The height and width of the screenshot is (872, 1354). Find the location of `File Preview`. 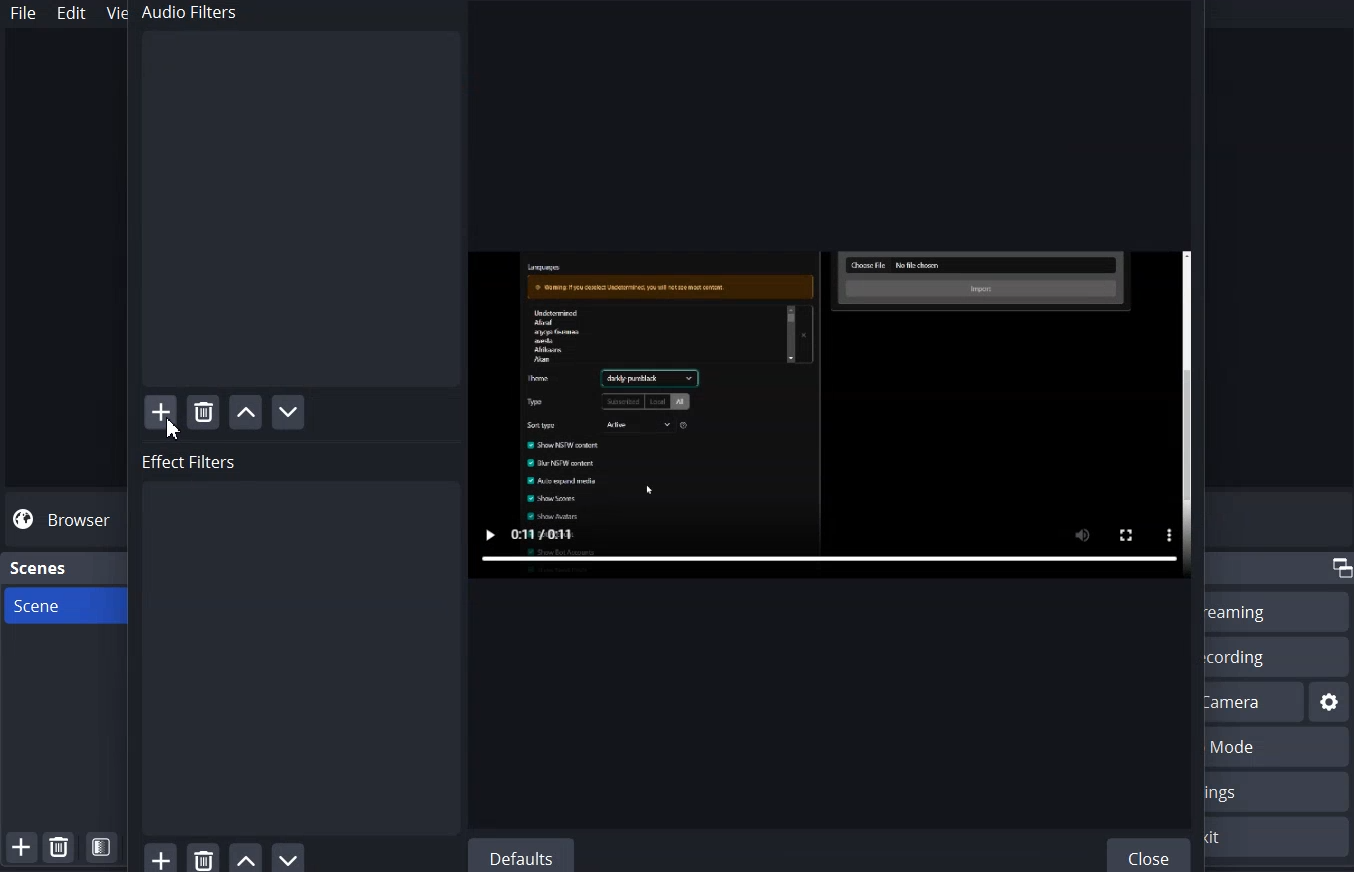

File Preview is located at coordinates (830, 415).